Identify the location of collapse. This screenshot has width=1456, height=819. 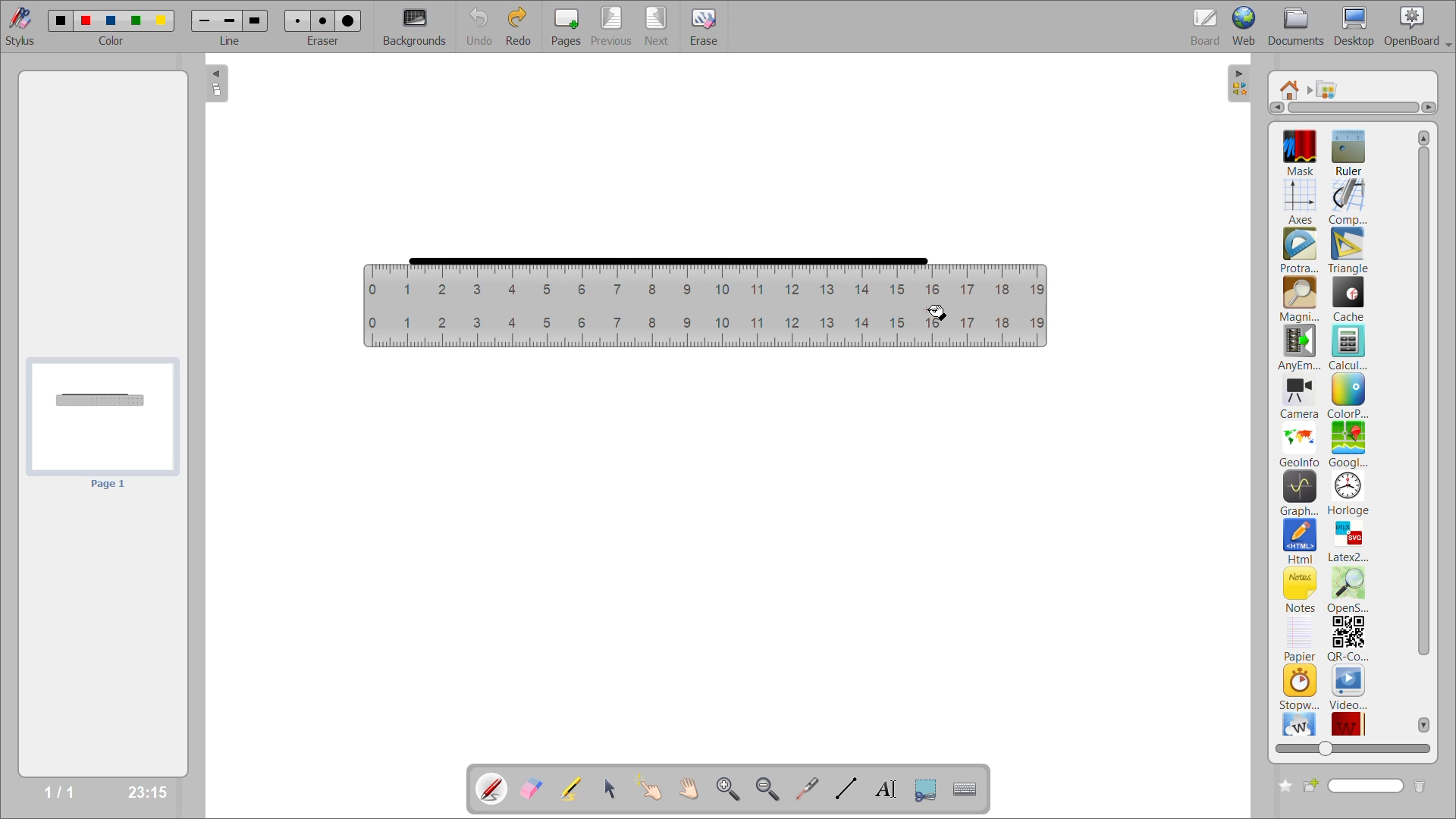
(218, 85).